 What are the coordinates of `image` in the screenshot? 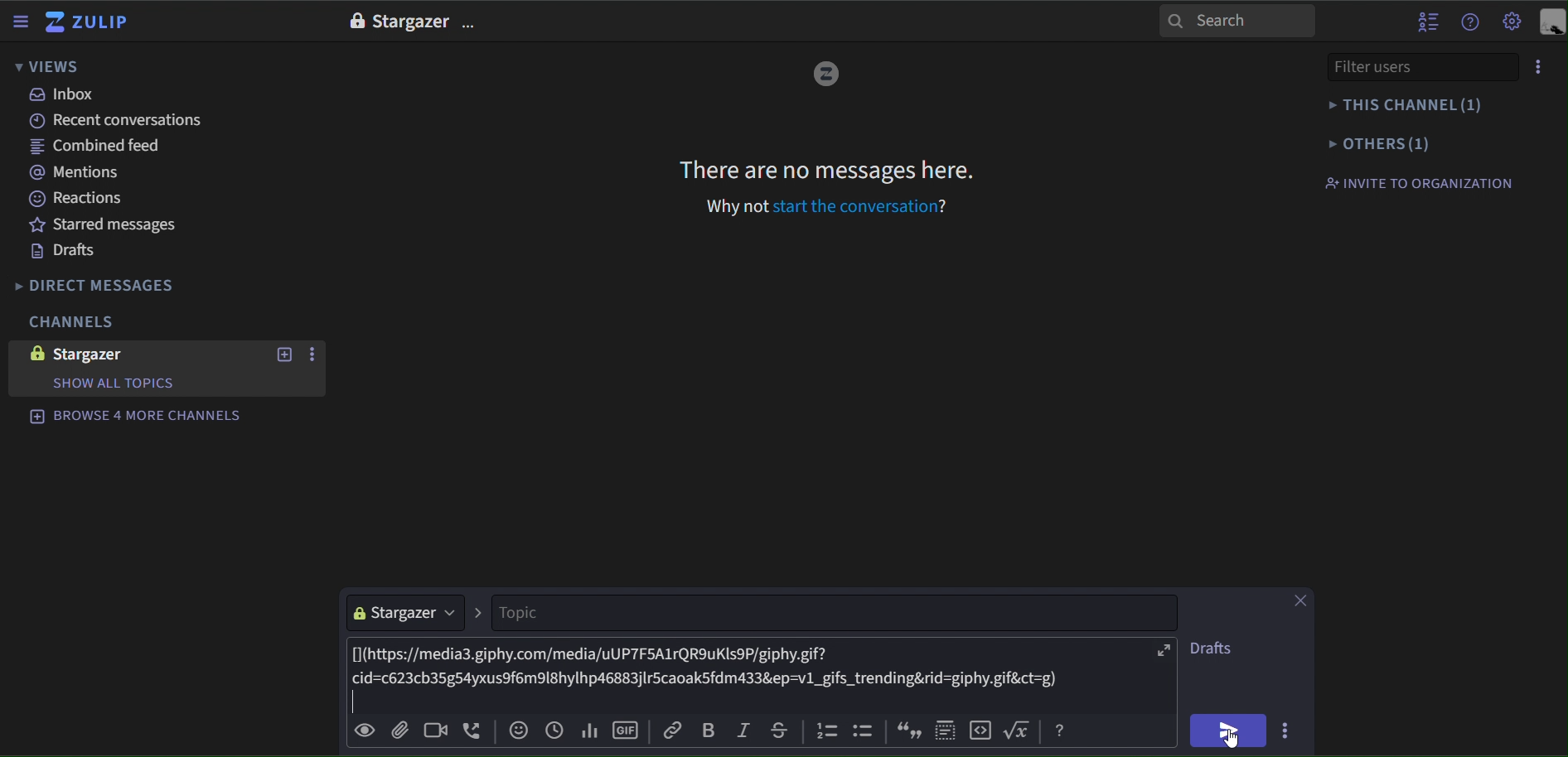 It's located at (825, 75).